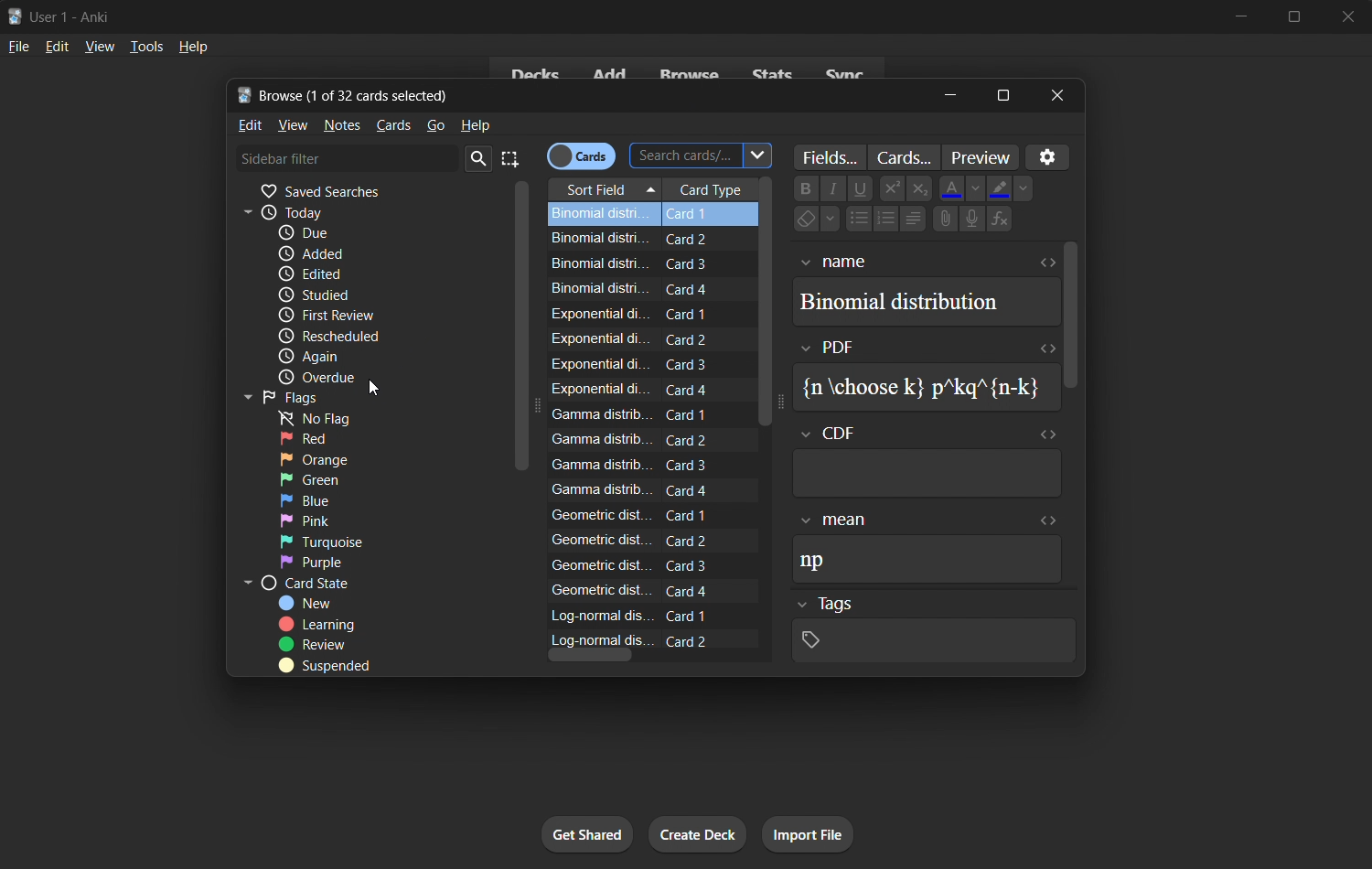 Image resolution: width=1372 pixels, height=869 pixels. What do you see at coordinates (597, 439) in the screenshot?
I see `Gamma distrib.` at bounding box center [597, 439].